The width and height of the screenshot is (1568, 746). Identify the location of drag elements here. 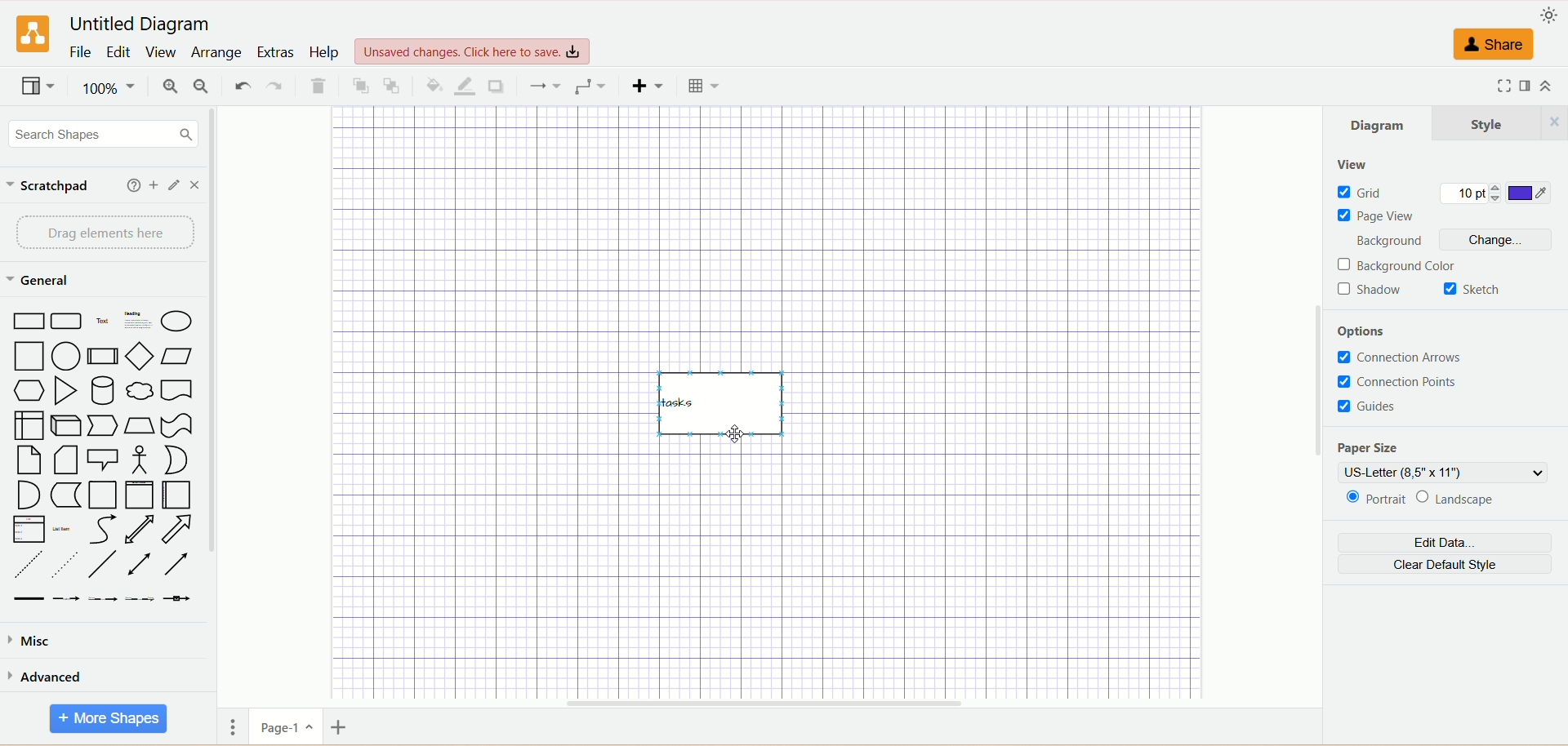
(107, 233).